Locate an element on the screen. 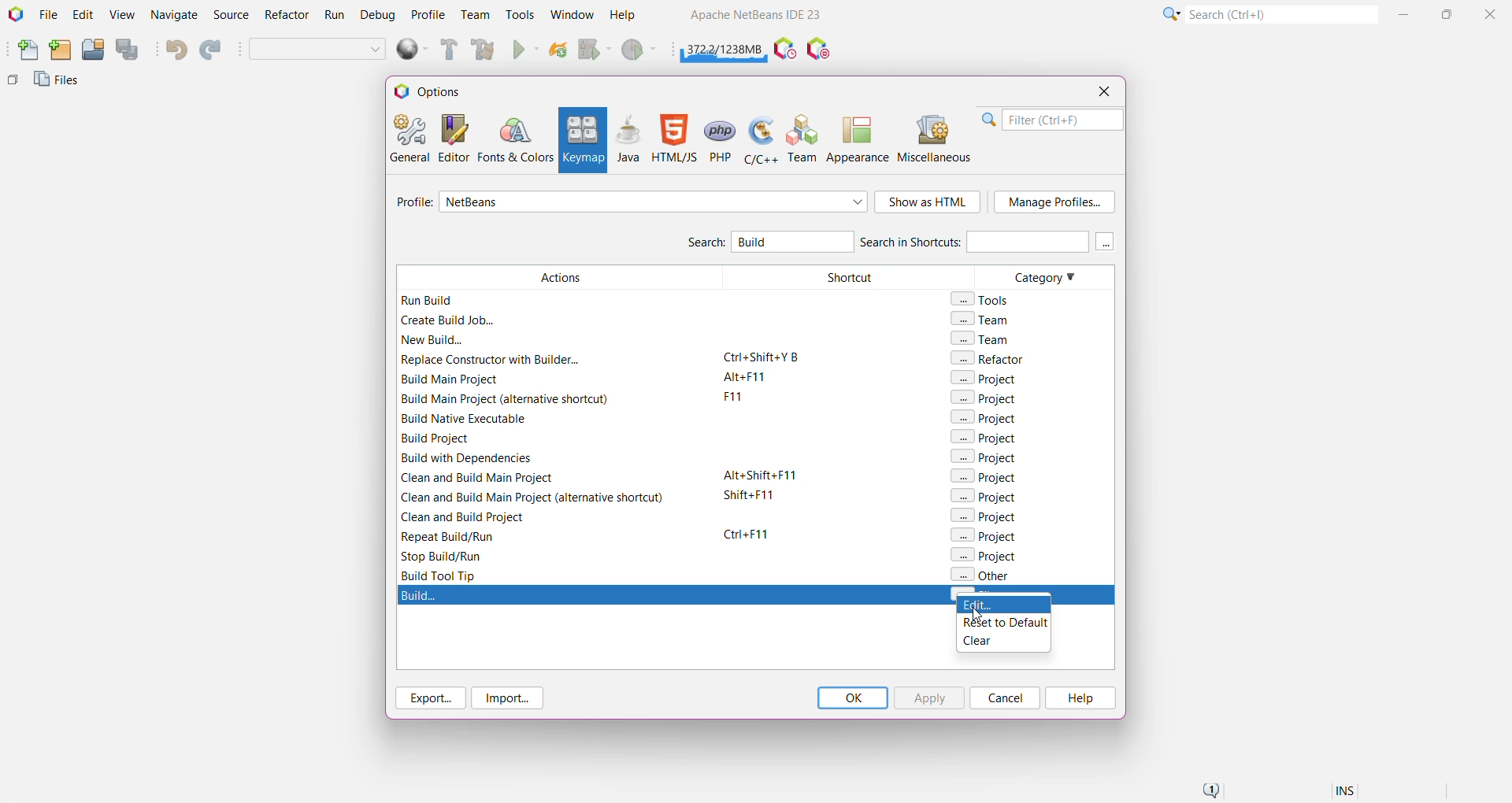  PHP is located at coordinates (721, 139).